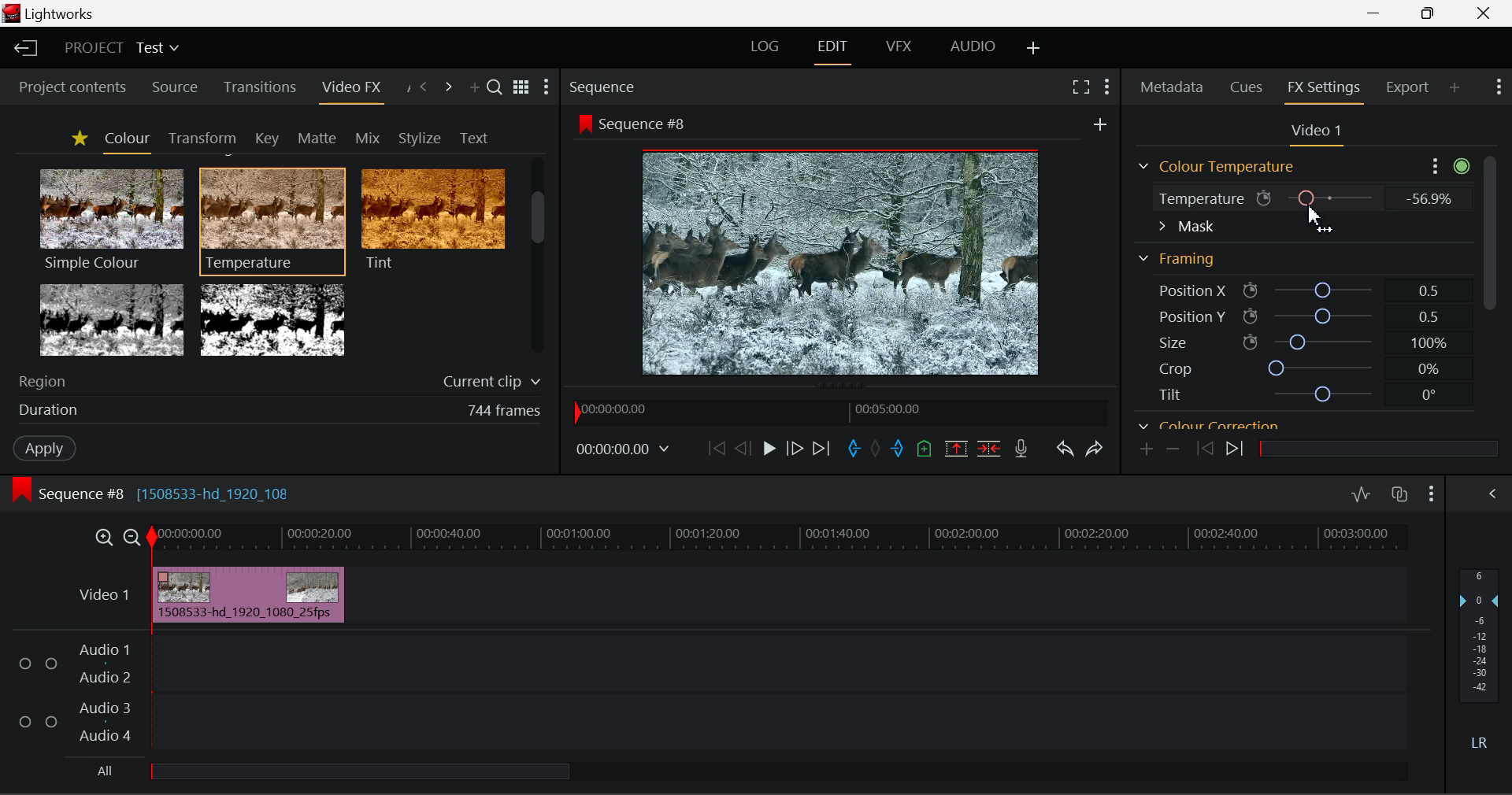 This screenshot has width=1512, height=795. What do you see at coordinates (1236, 451) in the screenshot?
I see `Next keyframe` at bounding box center [1236, 451].